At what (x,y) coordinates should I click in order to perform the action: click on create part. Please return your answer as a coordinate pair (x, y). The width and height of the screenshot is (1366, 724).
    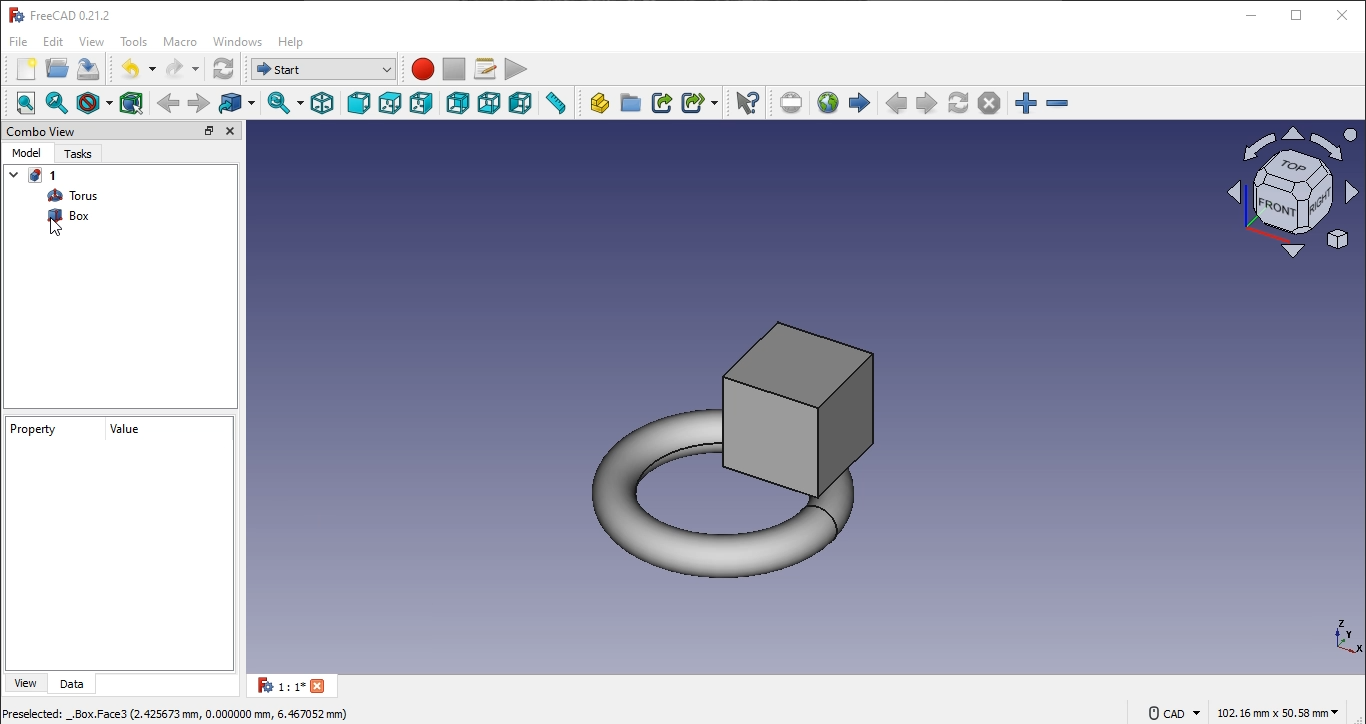
    Looking at the image, I should click on (598, 104).